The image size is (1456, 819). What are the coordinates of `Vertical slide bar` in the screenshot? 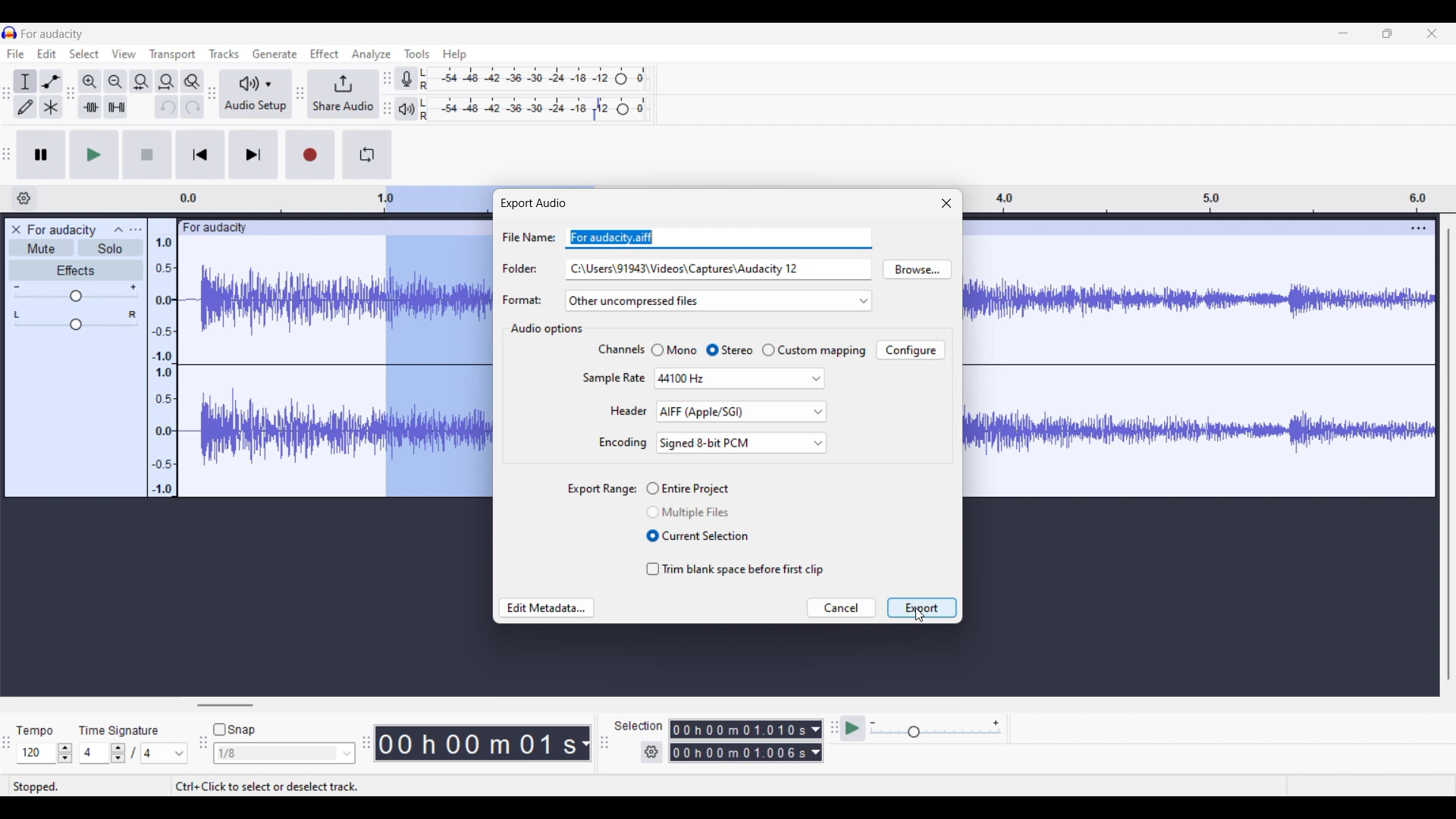 It's located at (1448, 453).